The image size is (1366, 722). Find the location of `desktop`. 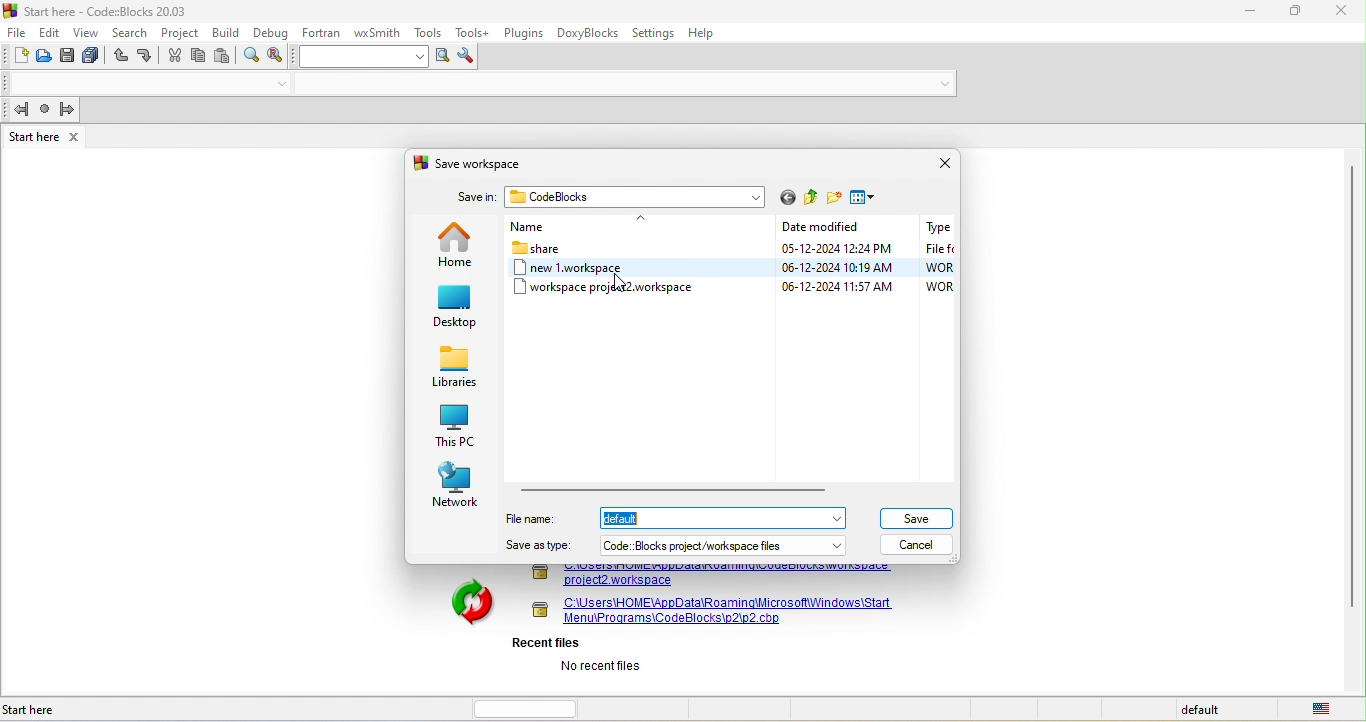

desktop is located at coordinates (457, 309).